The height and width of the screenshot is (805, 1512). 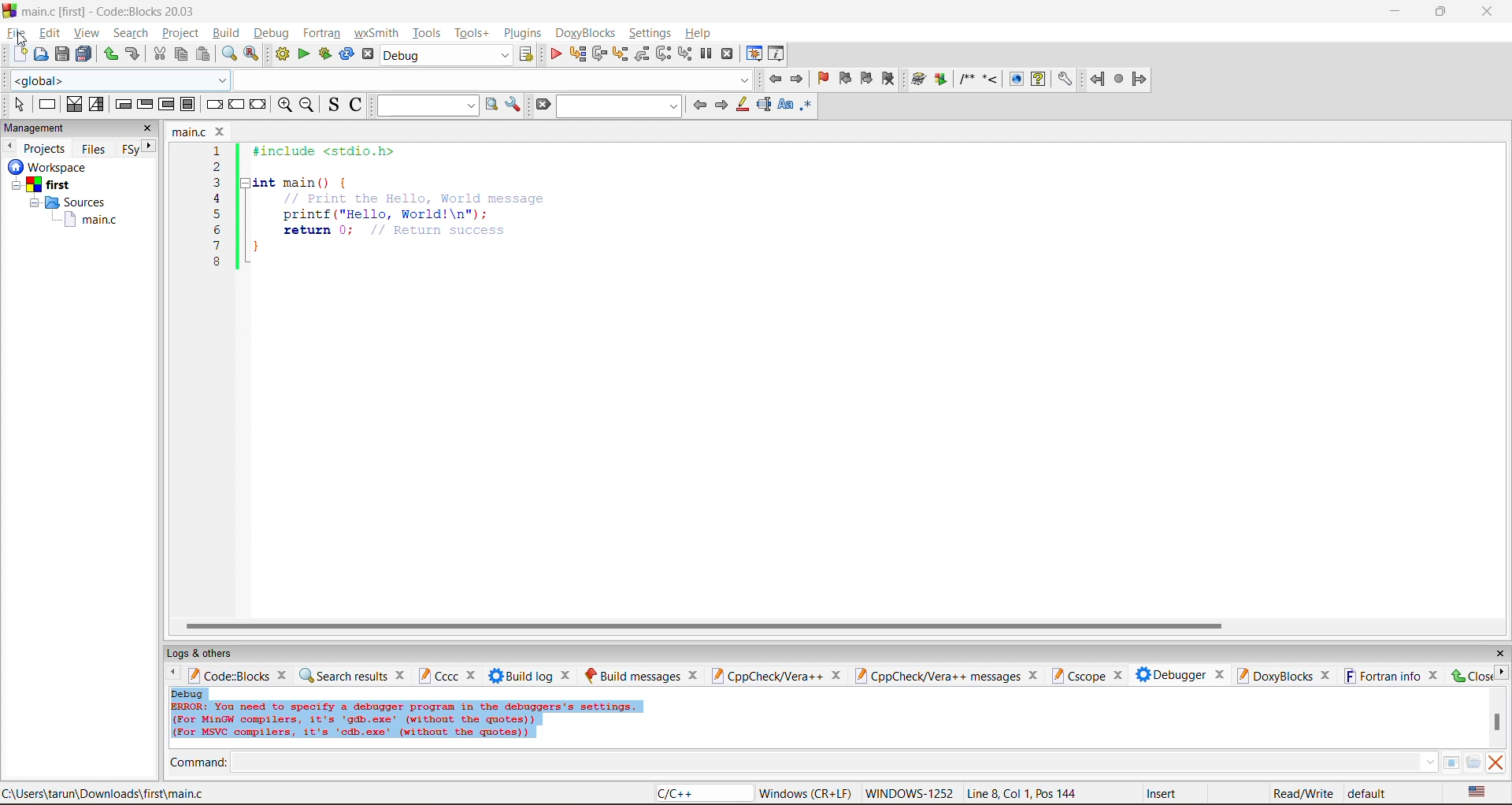 What do you see at coordinates (15, 31) in the screenshot?
I see `file` at bounding box center [15, 31].